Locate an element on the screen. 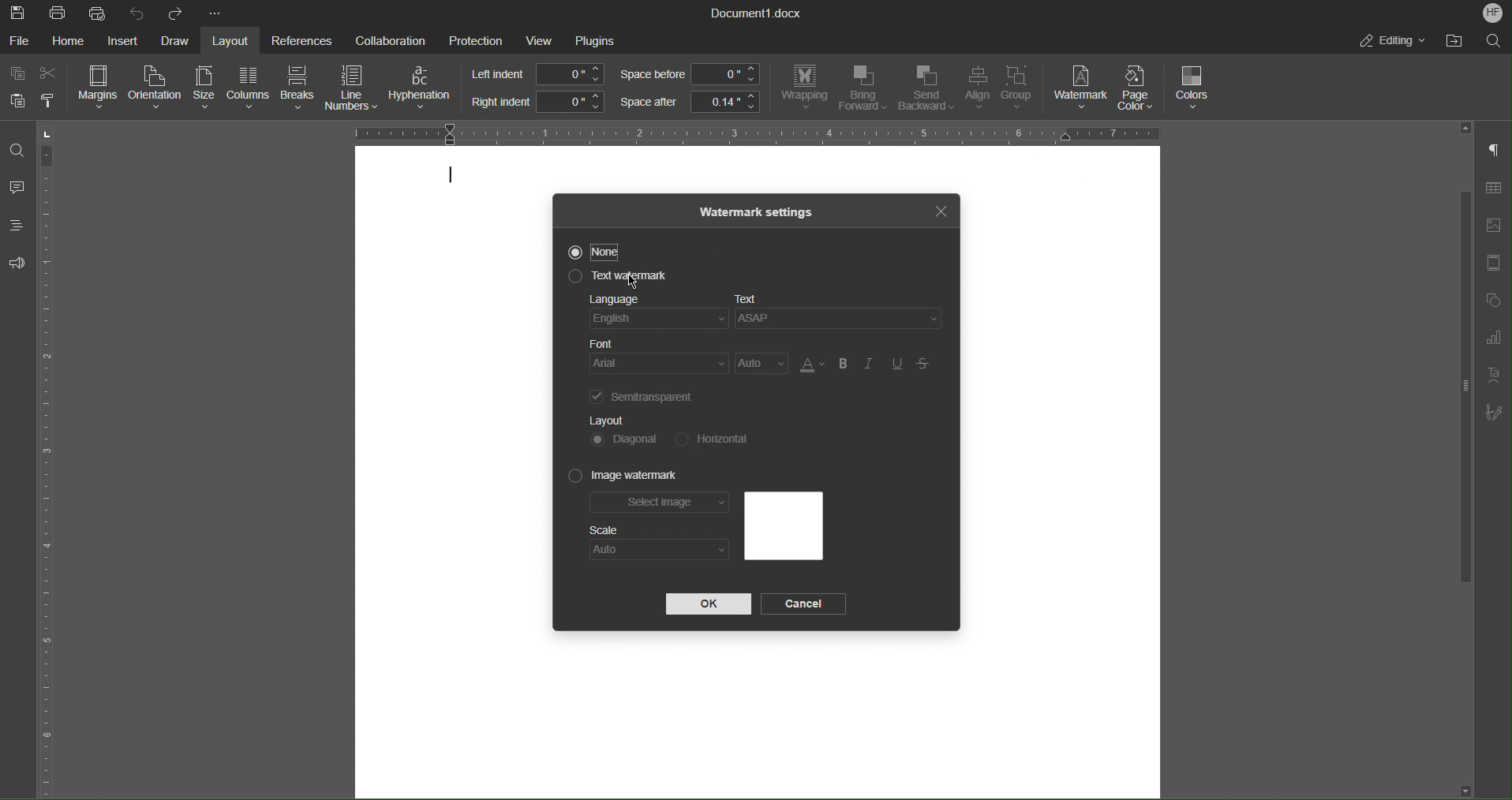 The image size is (1512, 800). View is located at coordinates (541, 40).